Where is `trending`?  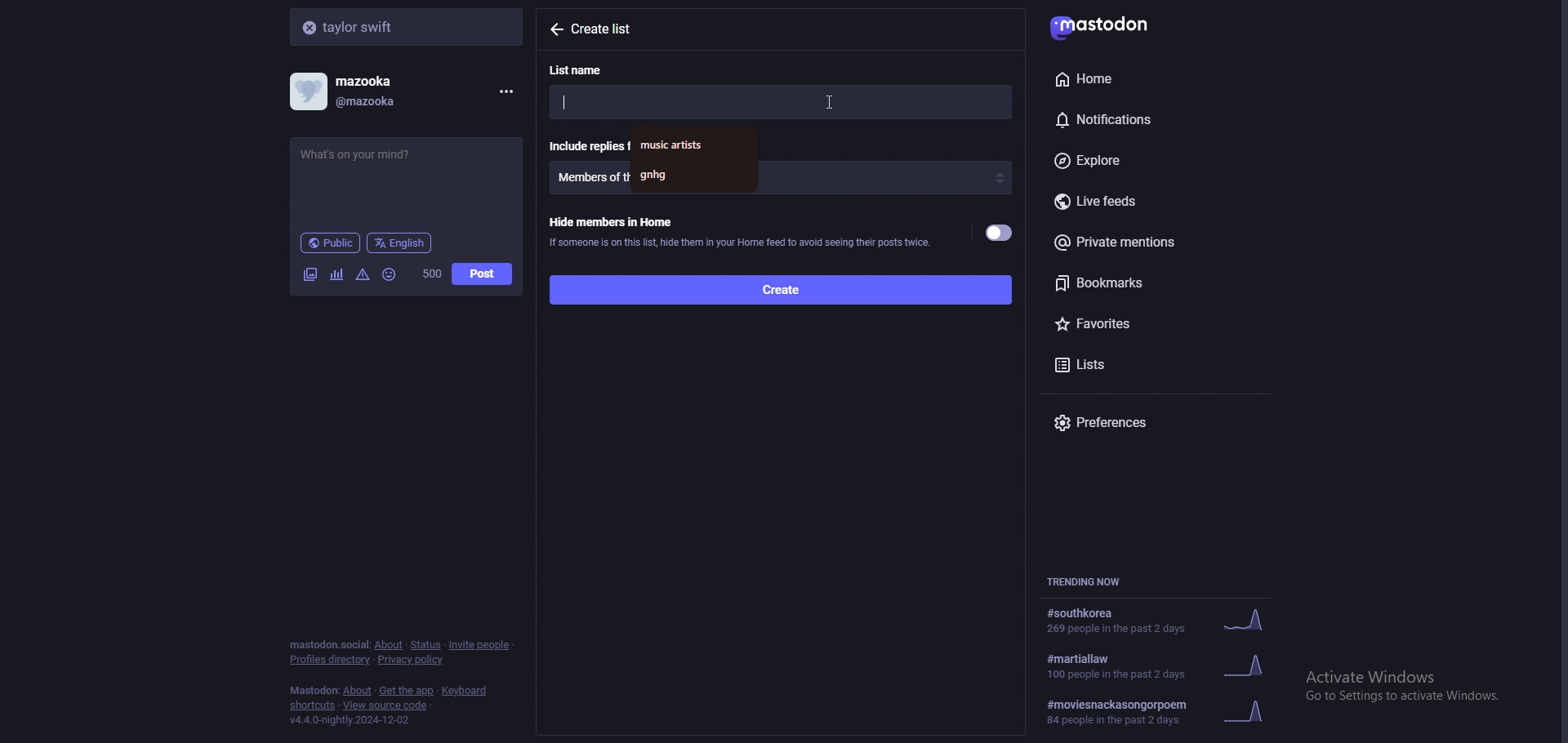
trending is located at coordinates (1164, 712).